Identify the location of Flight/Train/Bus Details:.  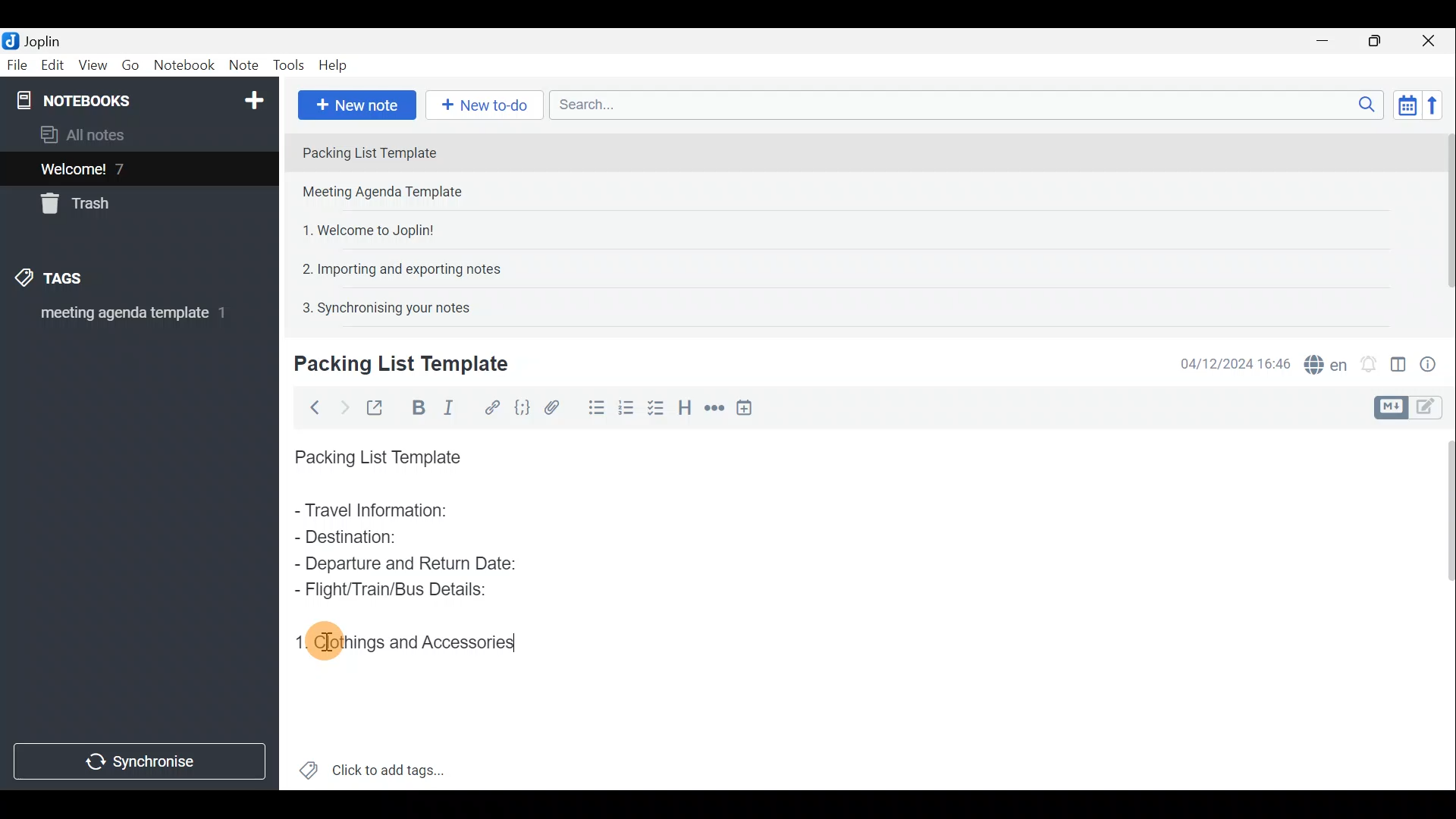
(395, 591).